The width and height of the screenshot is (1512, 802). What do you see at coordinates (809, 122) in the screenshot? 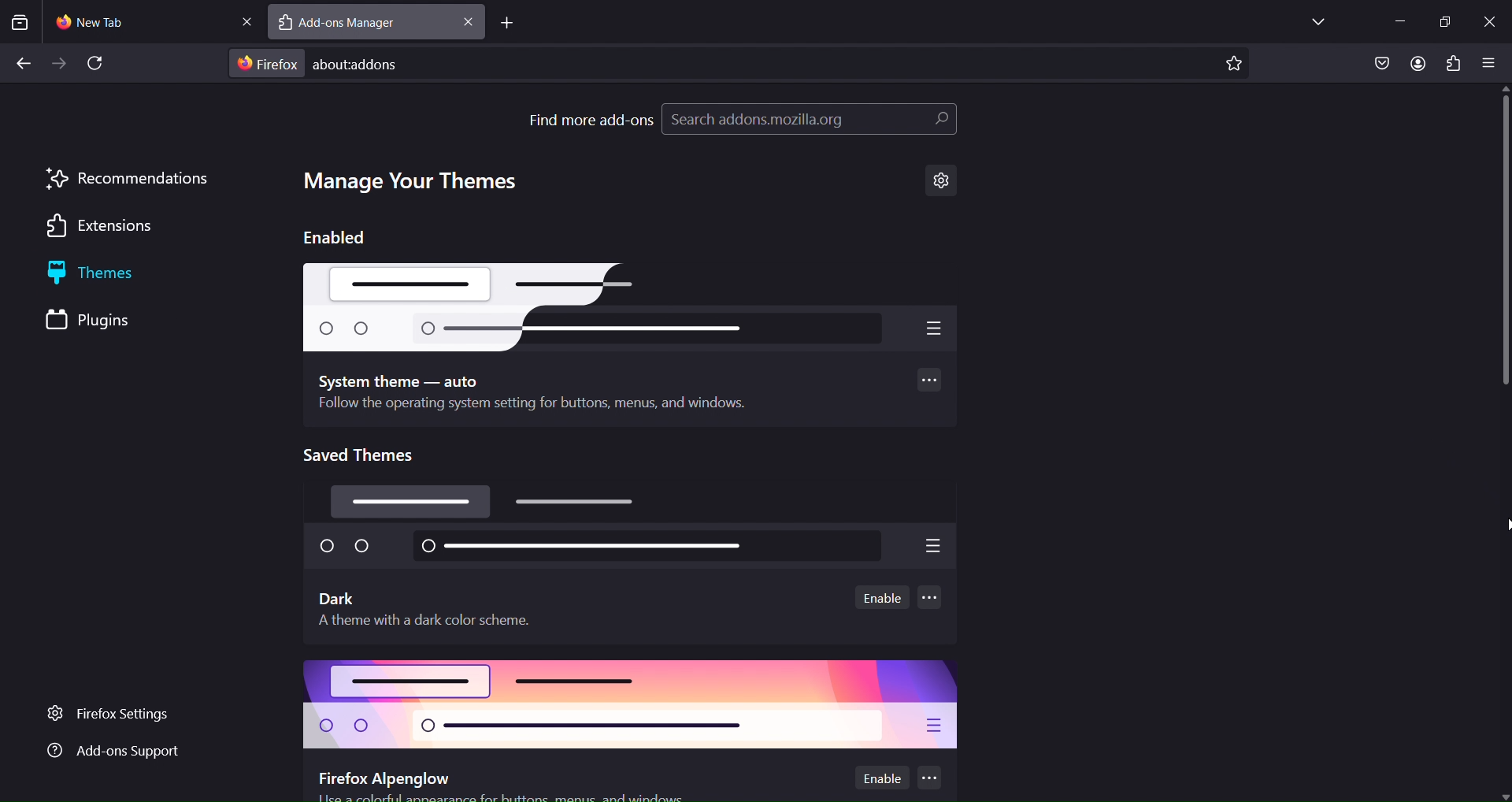
I see `search addons.mozilla.org` at bounding box center [809, 122].